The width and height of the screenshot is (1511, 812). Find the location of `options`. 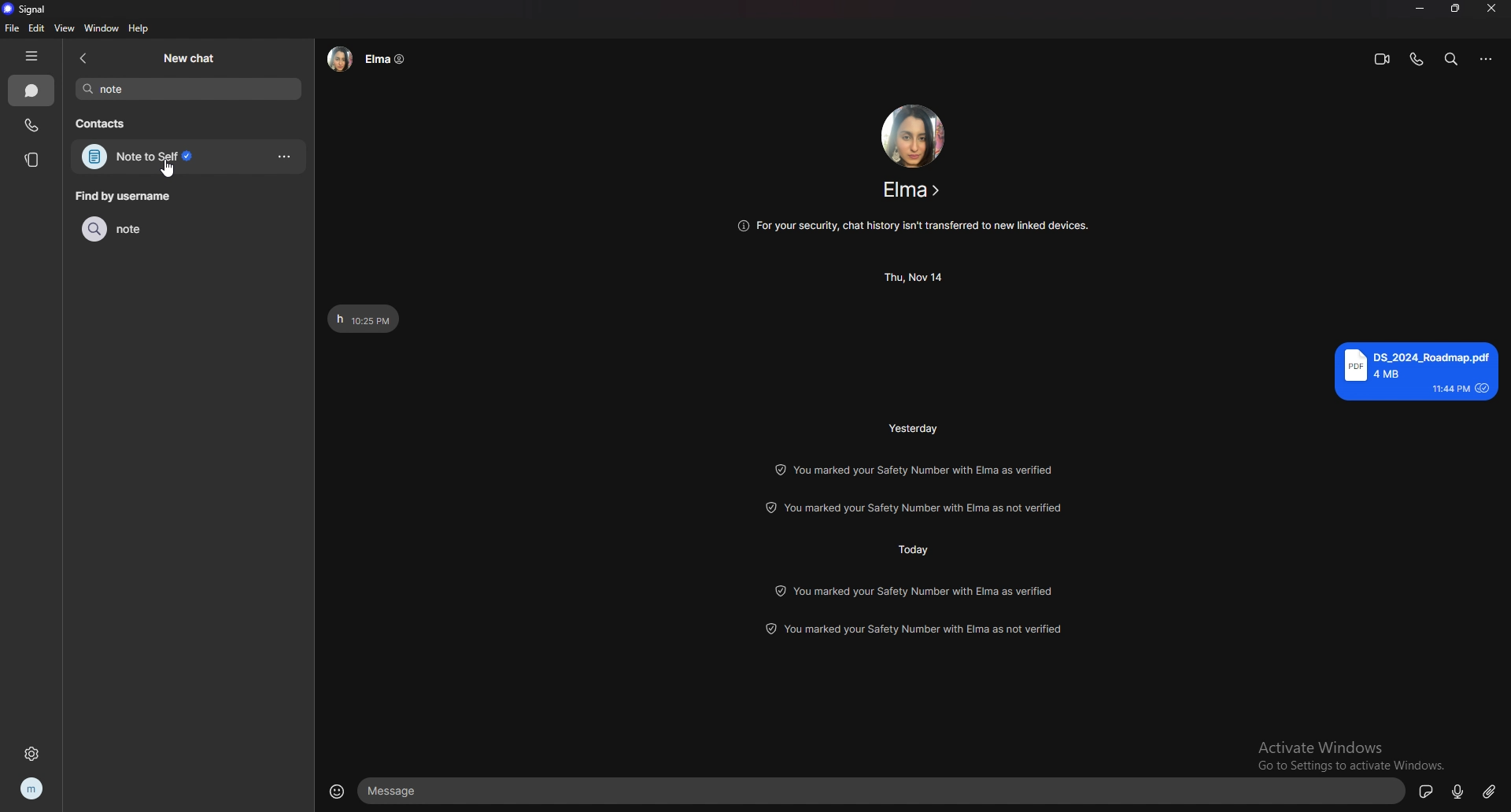

options is located at coordinates (285, 157).